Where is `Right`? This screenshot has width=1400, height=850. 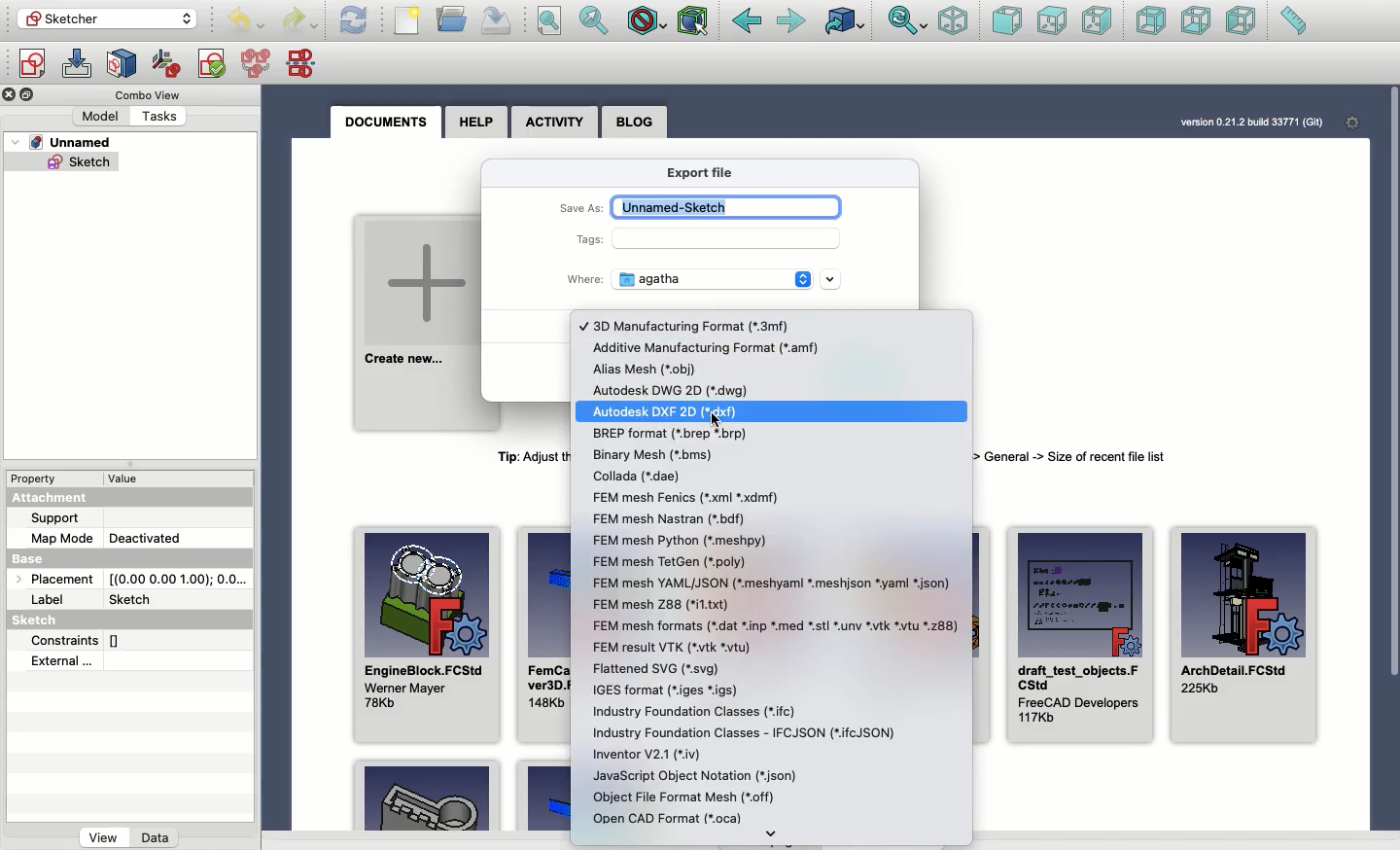 Right is located at coordinates (1097, 20).